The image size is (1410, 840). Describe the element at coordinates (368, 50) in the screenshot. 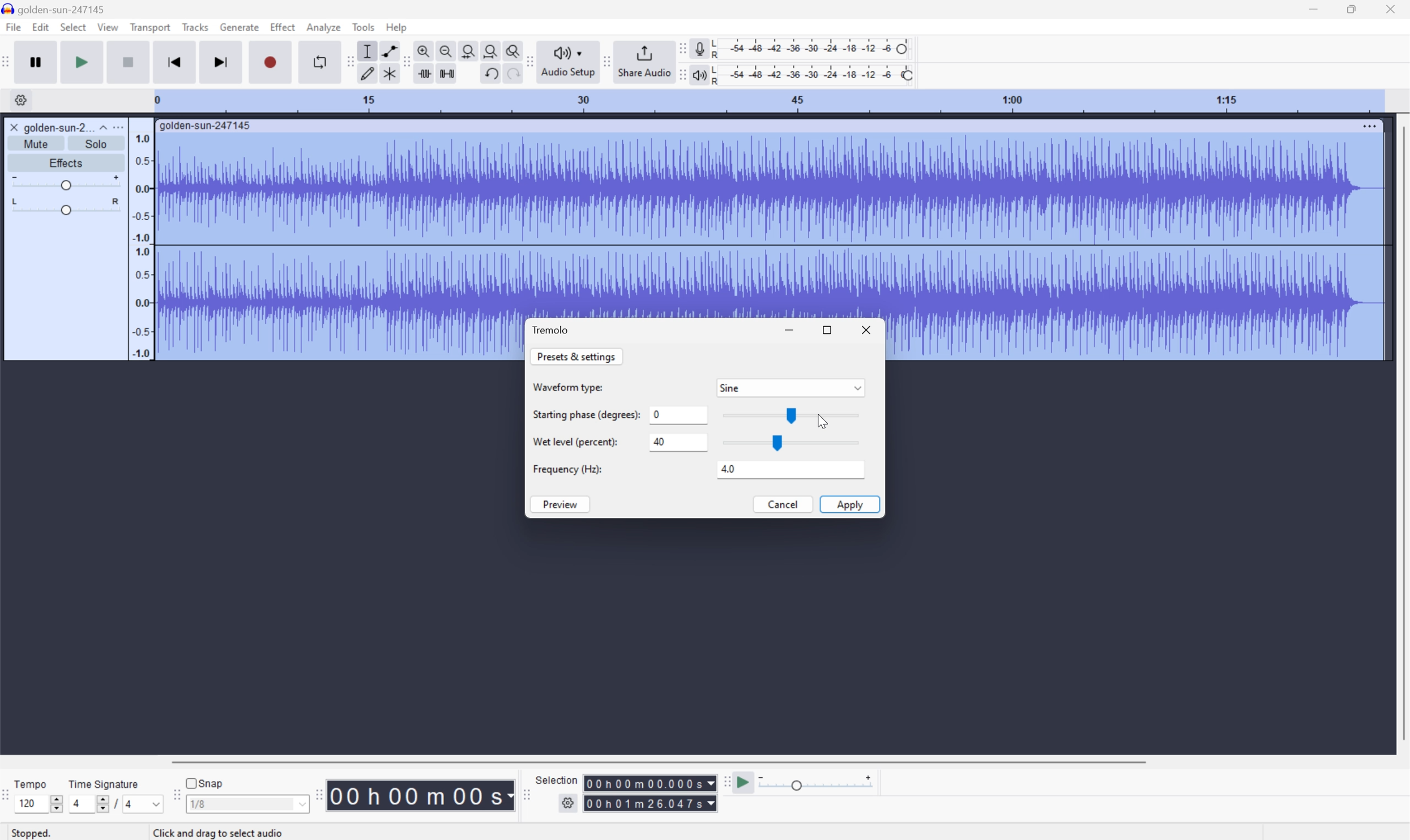

I see `Selection Tool` at that location.